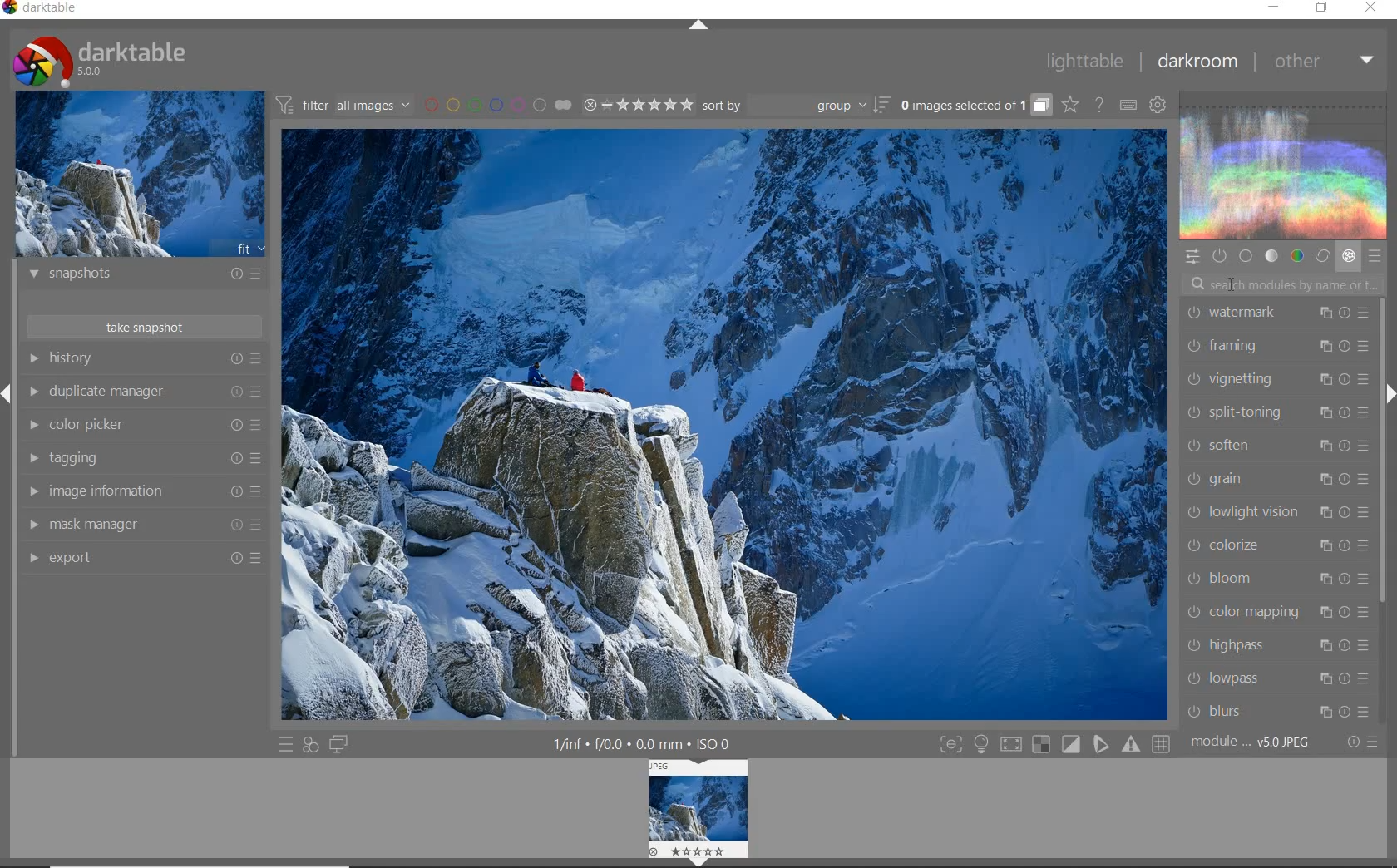 Image resolution: width=1397 pixels, height=868 pixels. What do you see at coordinates (1276, 348) in the screenshot?
I see `framing` at bounding box center [1276, 348].